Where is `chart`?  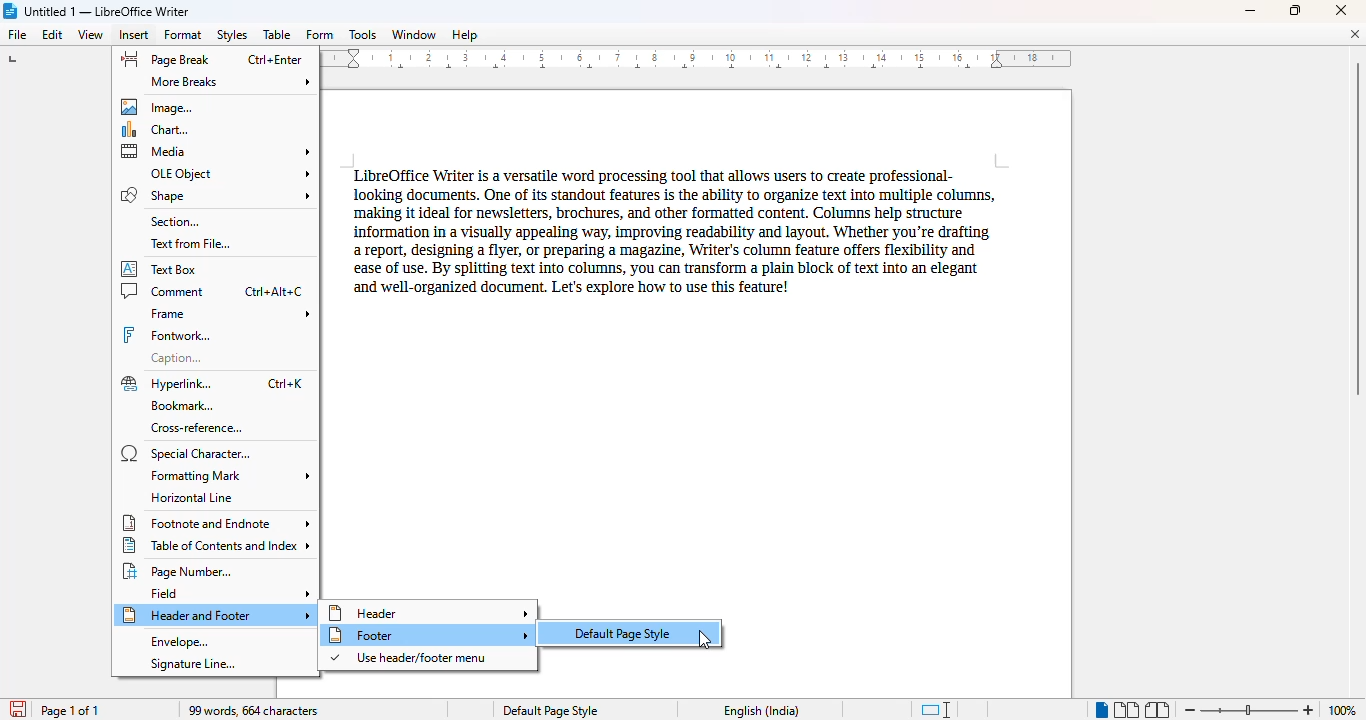 chart is located at coordinates (161, 129).